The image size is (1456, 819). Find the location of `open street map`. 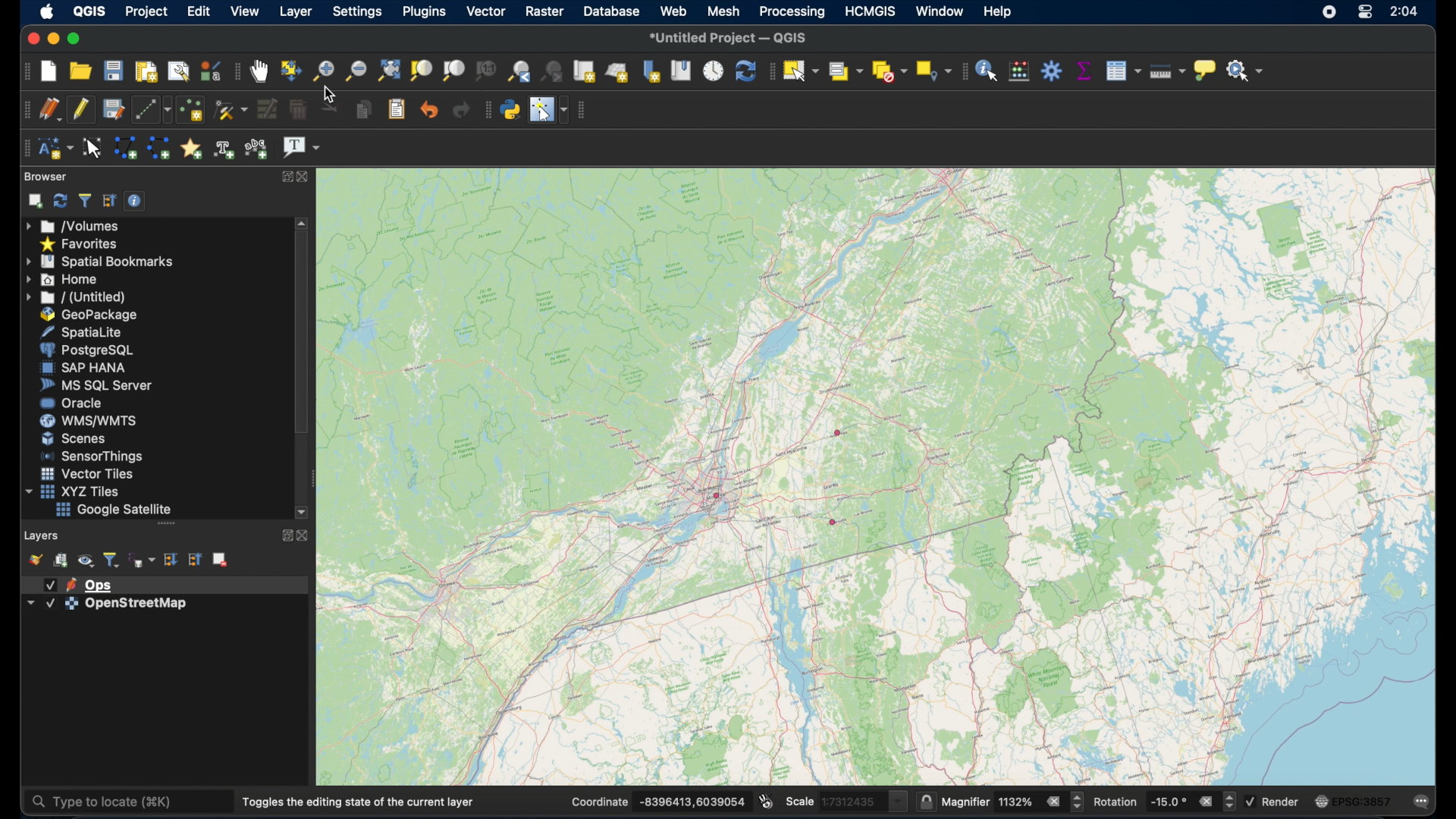

open street map is located at coordinates (755, 453).